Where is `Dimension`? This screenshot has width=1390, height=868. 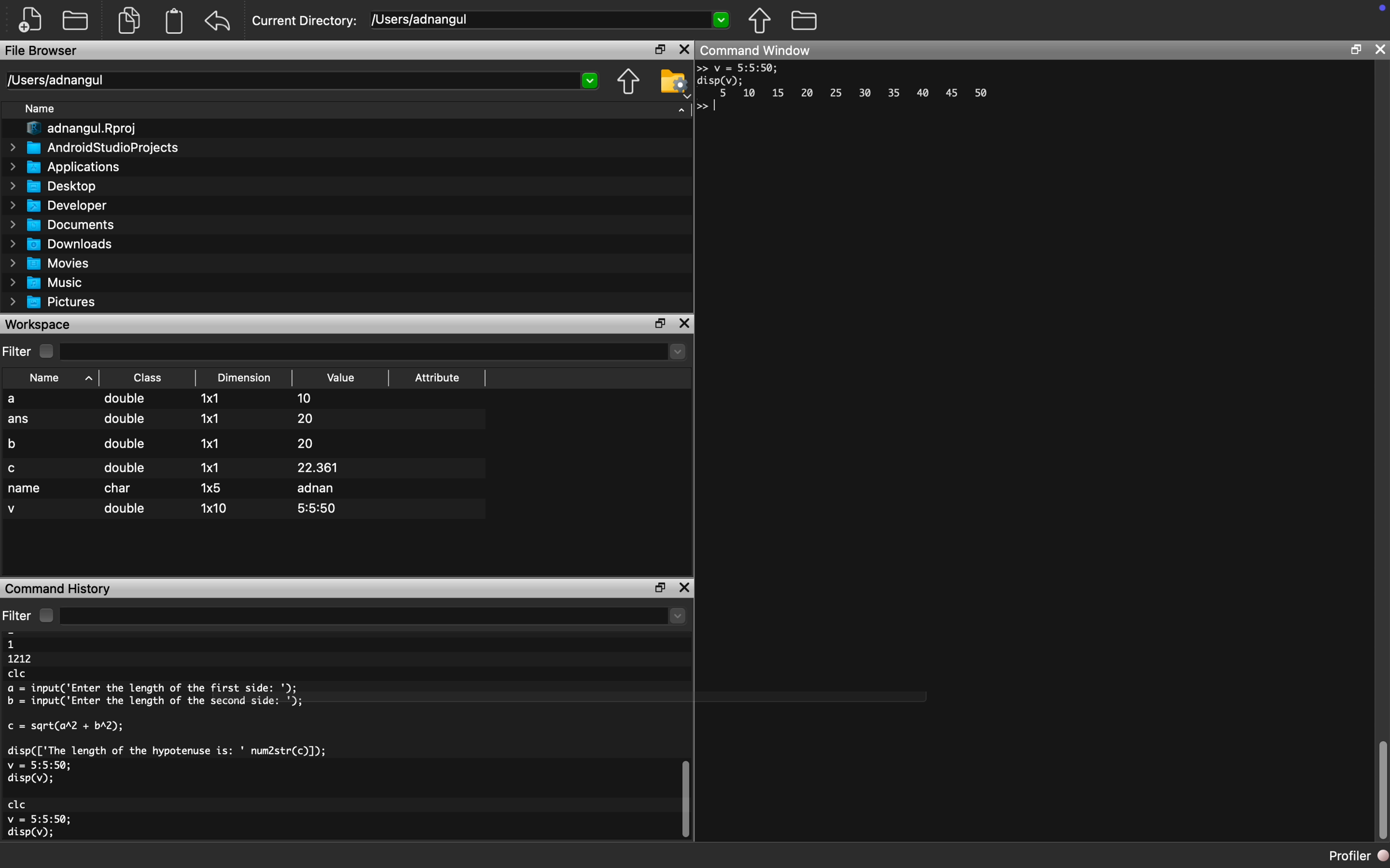
Dimension is located at coordinates (243, 378).